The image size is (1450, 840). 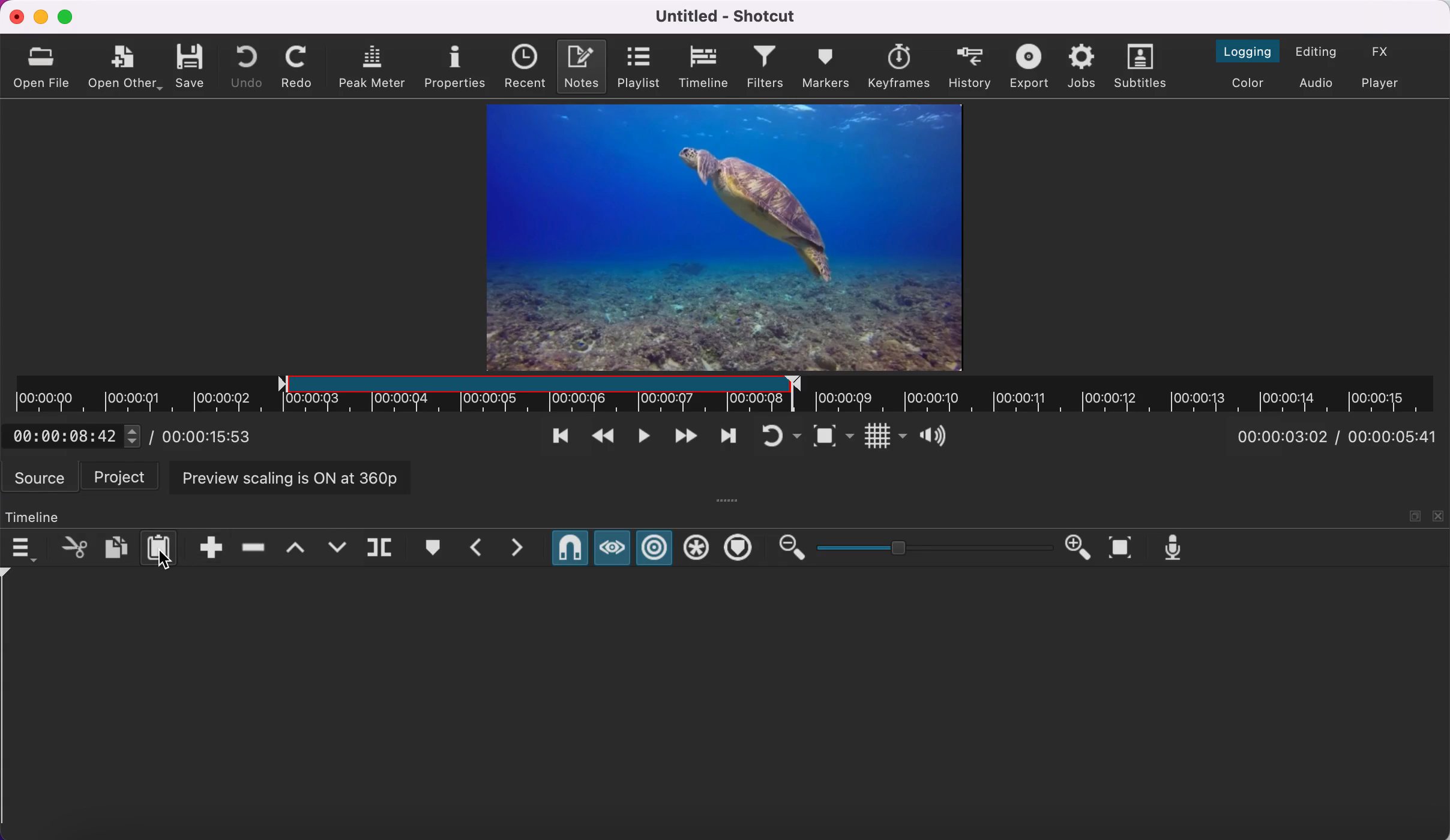 What do you see at coordinates (300, 66) in the screenshot?
I see `redo` at bounding box center [300, 66].